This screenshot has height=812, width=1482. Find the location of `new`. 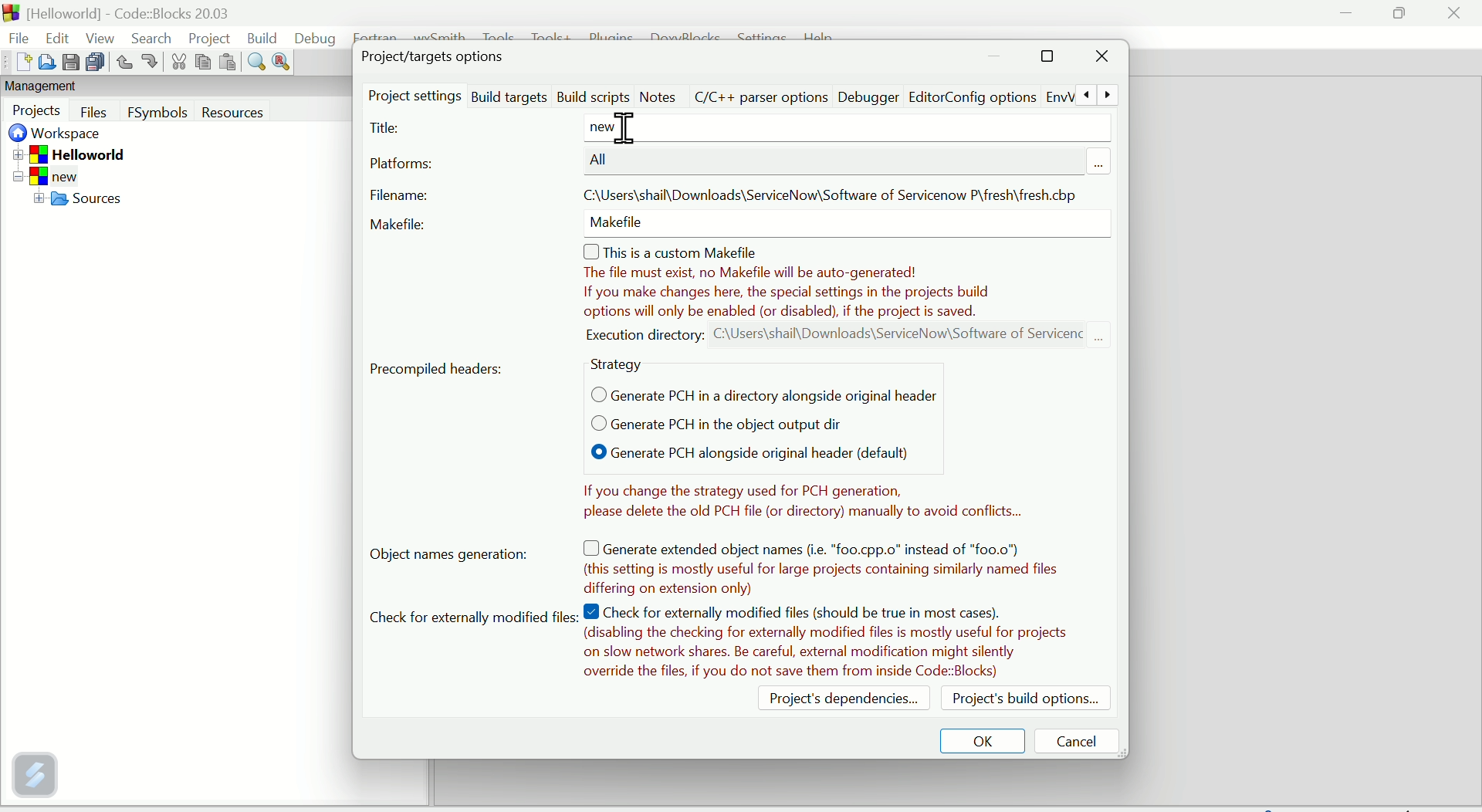

new is located at coordinates (615, 127).